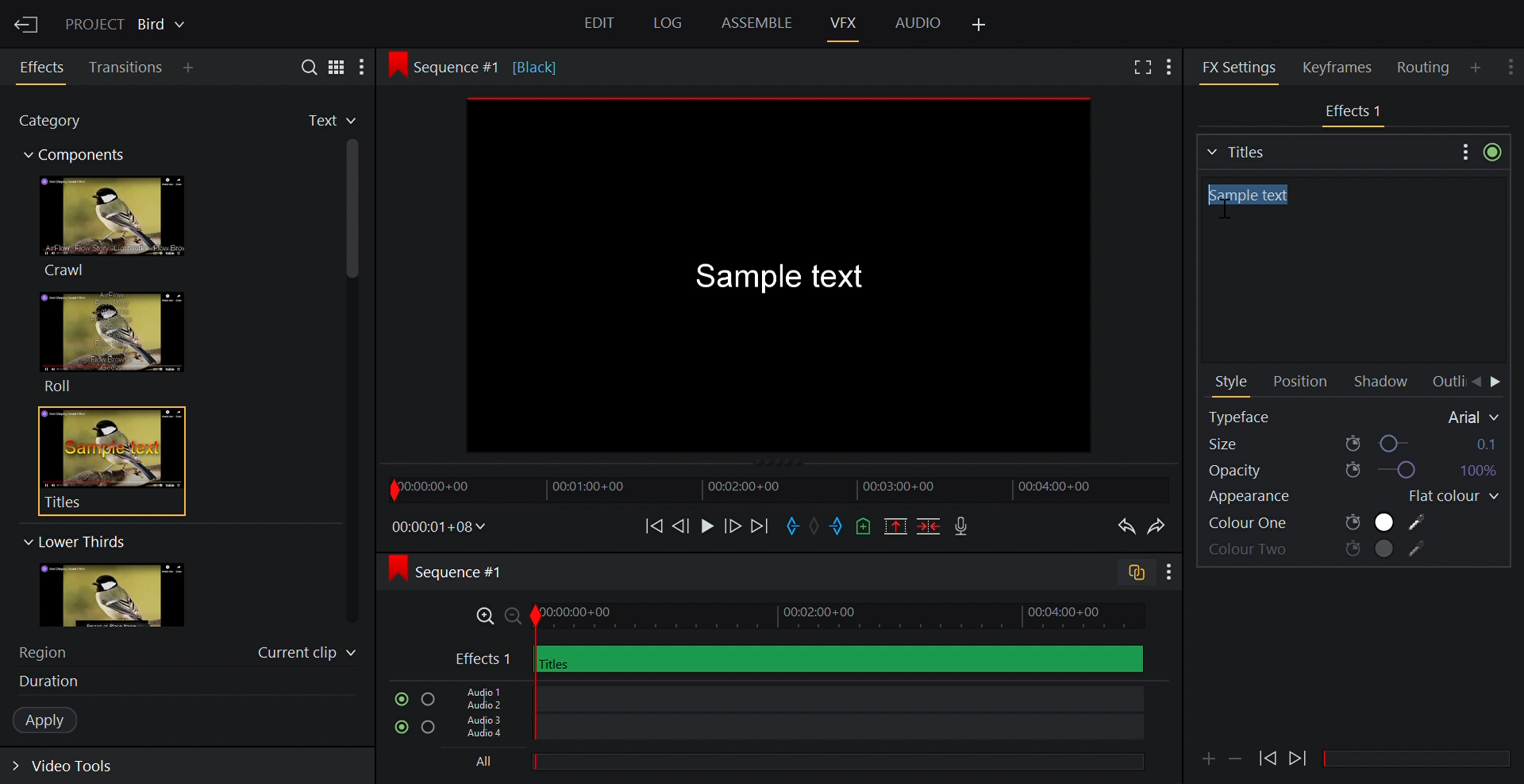 Image resolution: width=1524 pixels, height=784 pixels. I want to click on Log, so click(665, 24).